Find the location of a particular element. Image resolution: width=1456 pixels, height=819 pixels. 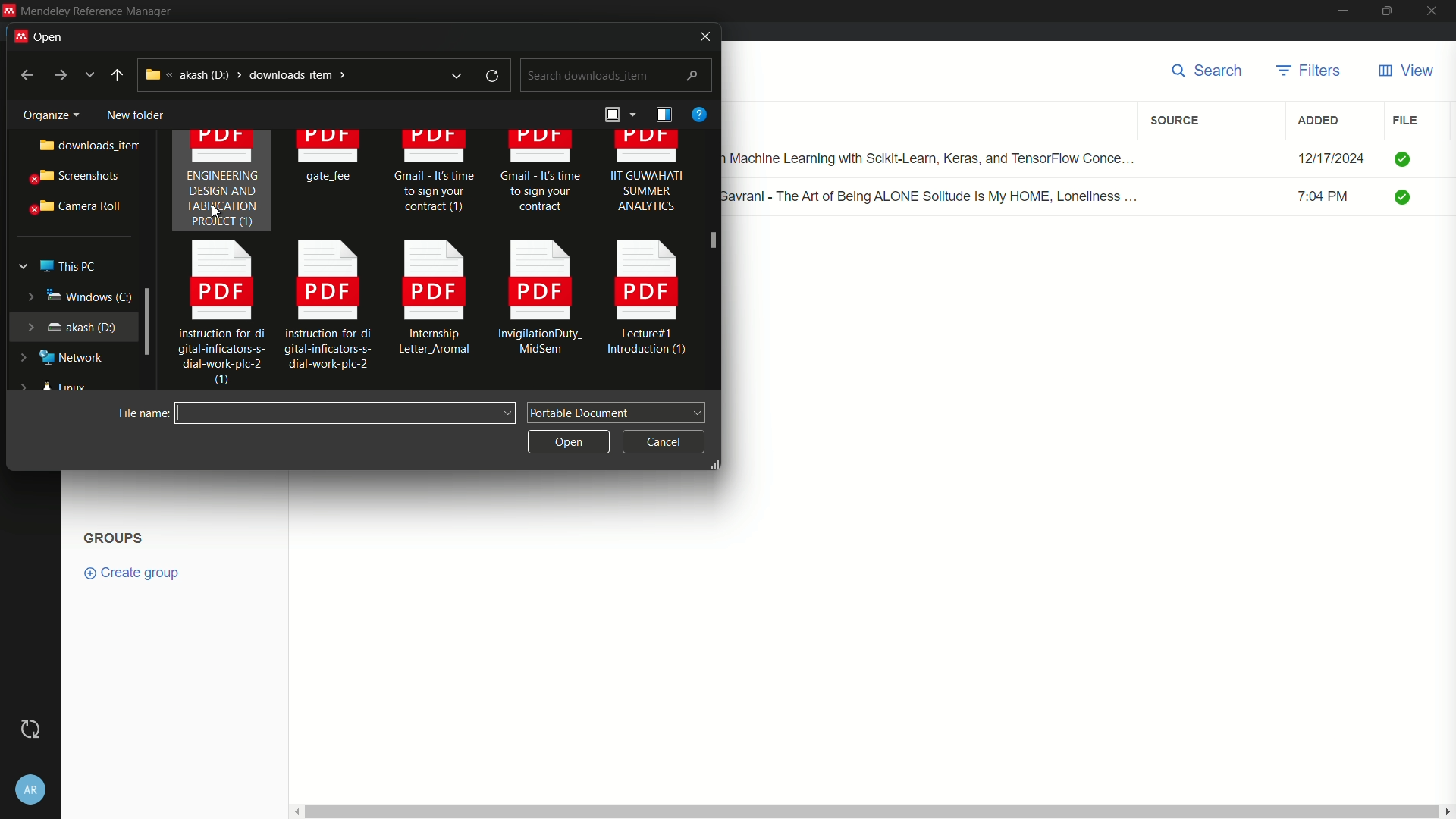

downloads_item.. is located at coordinates (77, 146).